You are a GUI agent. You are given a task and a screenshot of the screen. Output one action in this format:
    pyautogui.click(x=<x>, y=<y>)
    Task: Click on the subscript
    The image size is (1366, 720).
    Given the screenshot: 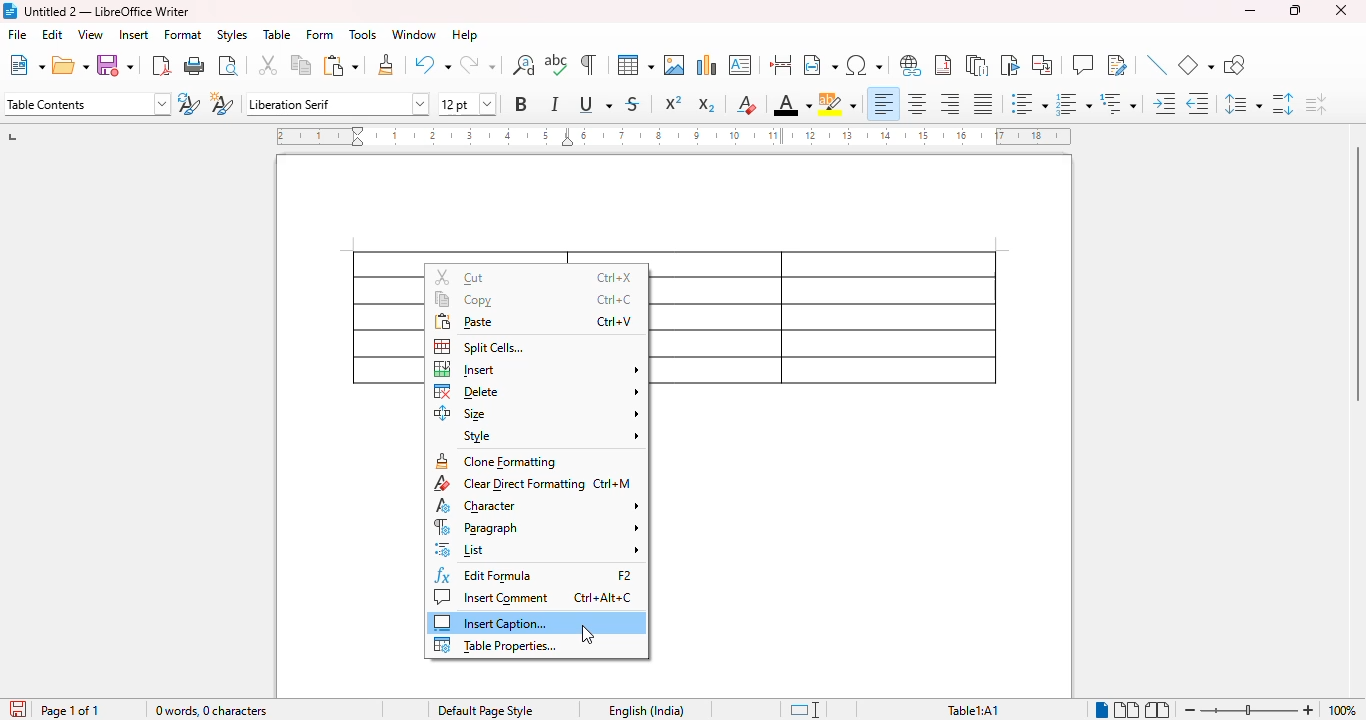 What is the action you would take?
    pyautogui.click(x=707, y=105)
    